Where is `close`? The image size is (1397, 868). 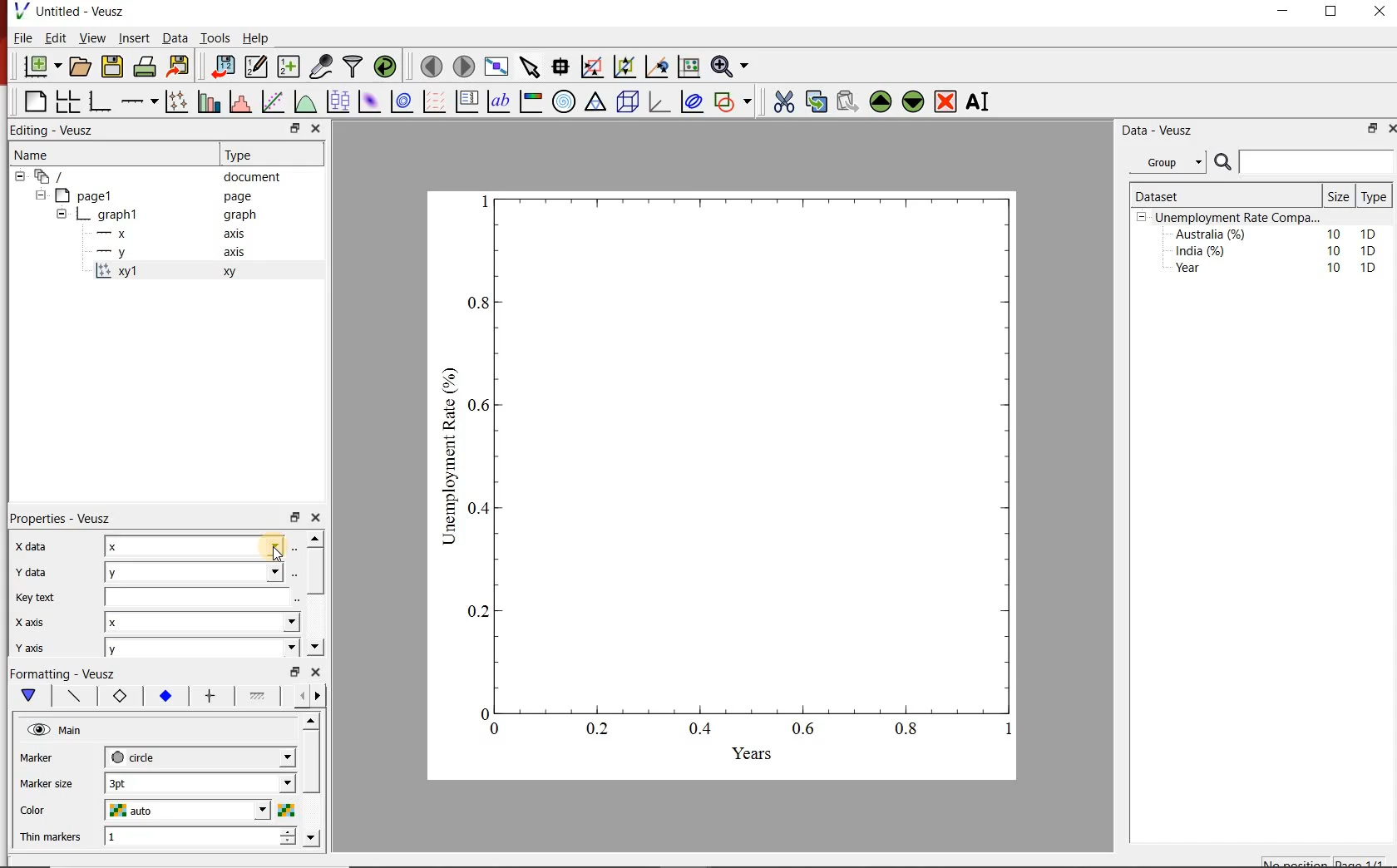
close is located at coordinates (1378, 15).